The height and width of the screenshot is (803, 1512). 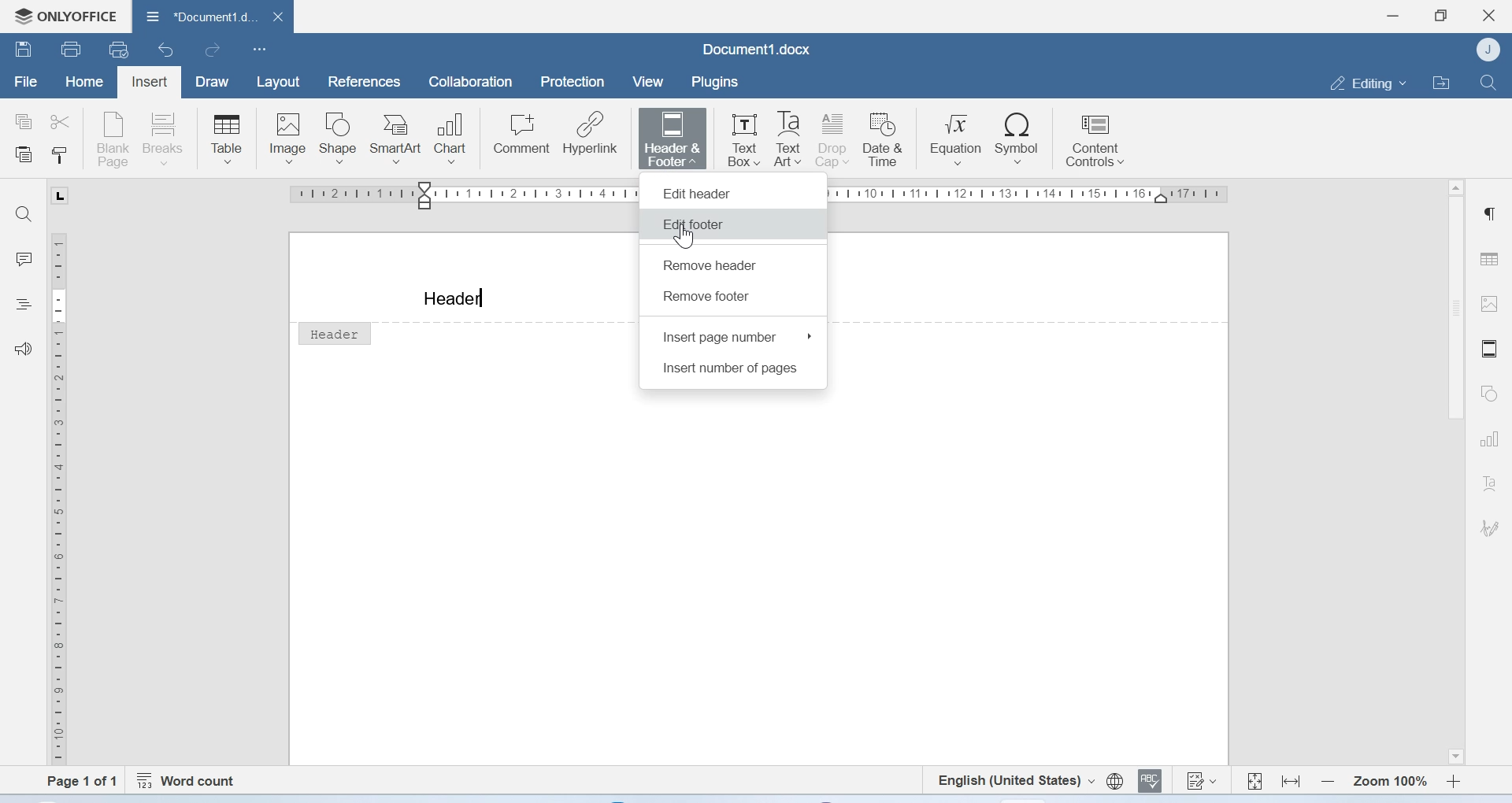 I want to click on Protection, so click(x=574, y=83).